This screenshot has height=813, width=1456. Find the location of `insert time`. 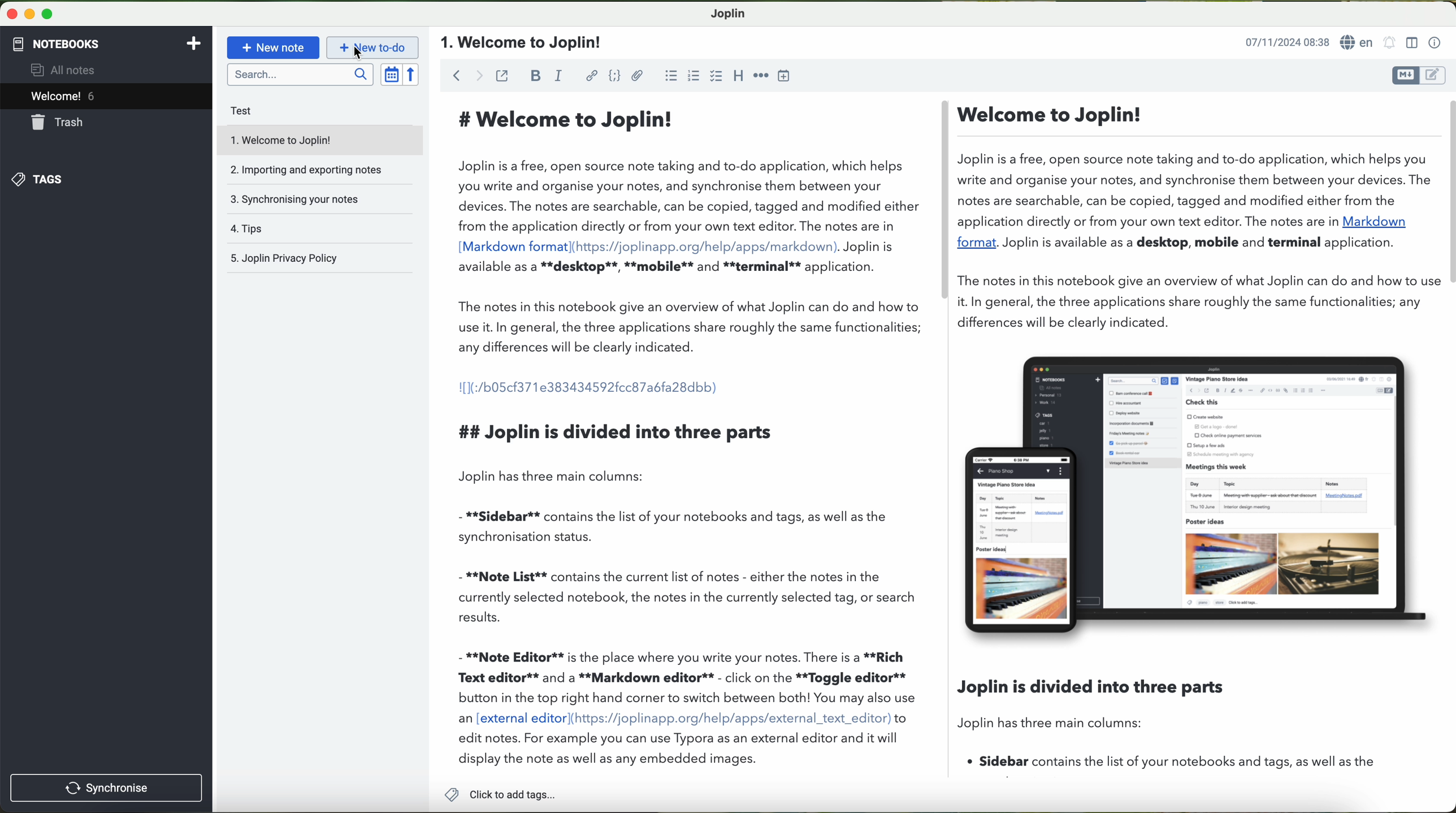

insert time is located at coordinates (782, 76).